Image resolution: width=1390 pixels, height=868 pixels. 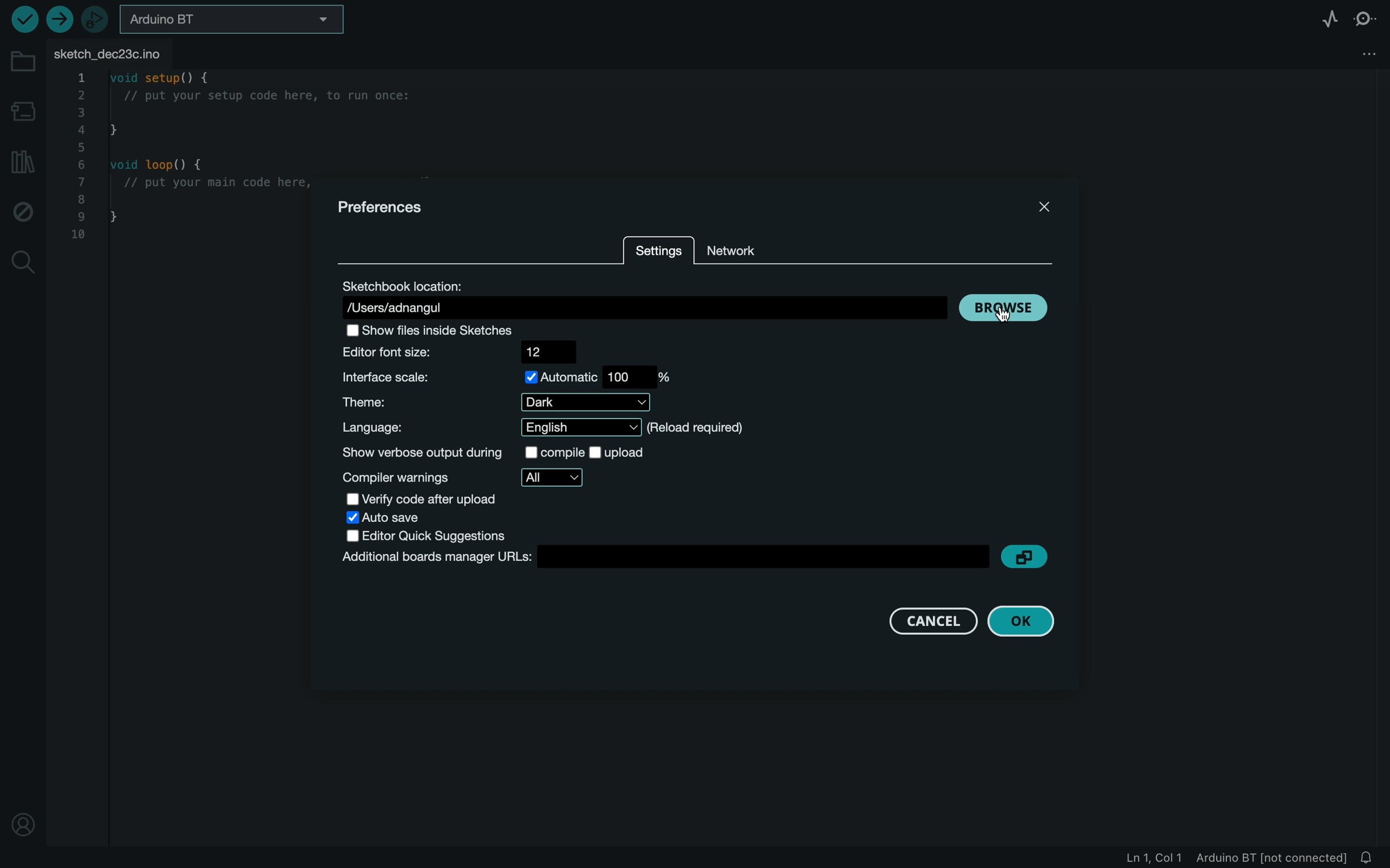 I want to click on upload, so click(x=64, y=18).